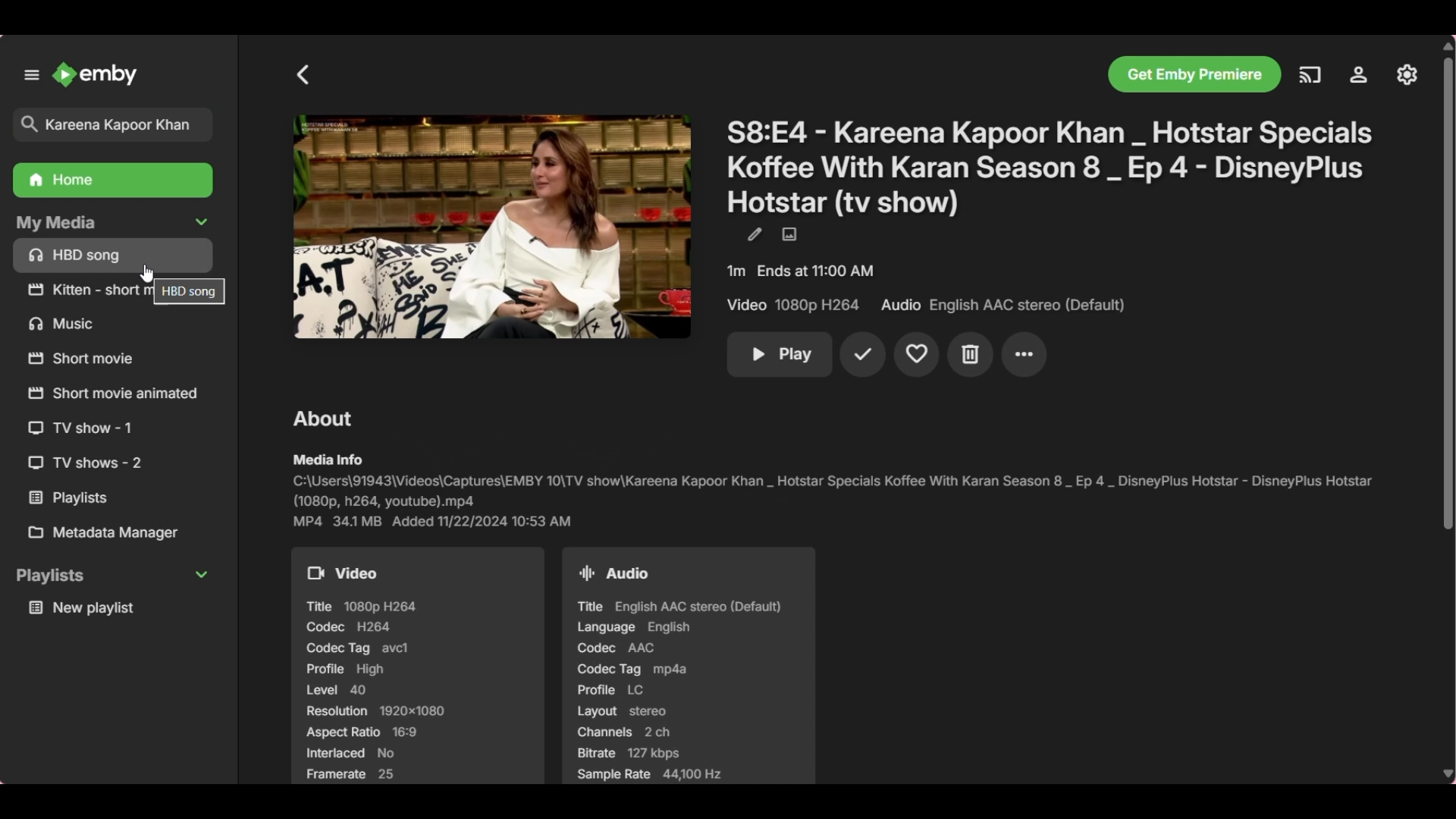 The image size is (1456, 819). Describe the element at coordinates (689, 666) in the screenshot. I see `Audio details of tv show` at that location.